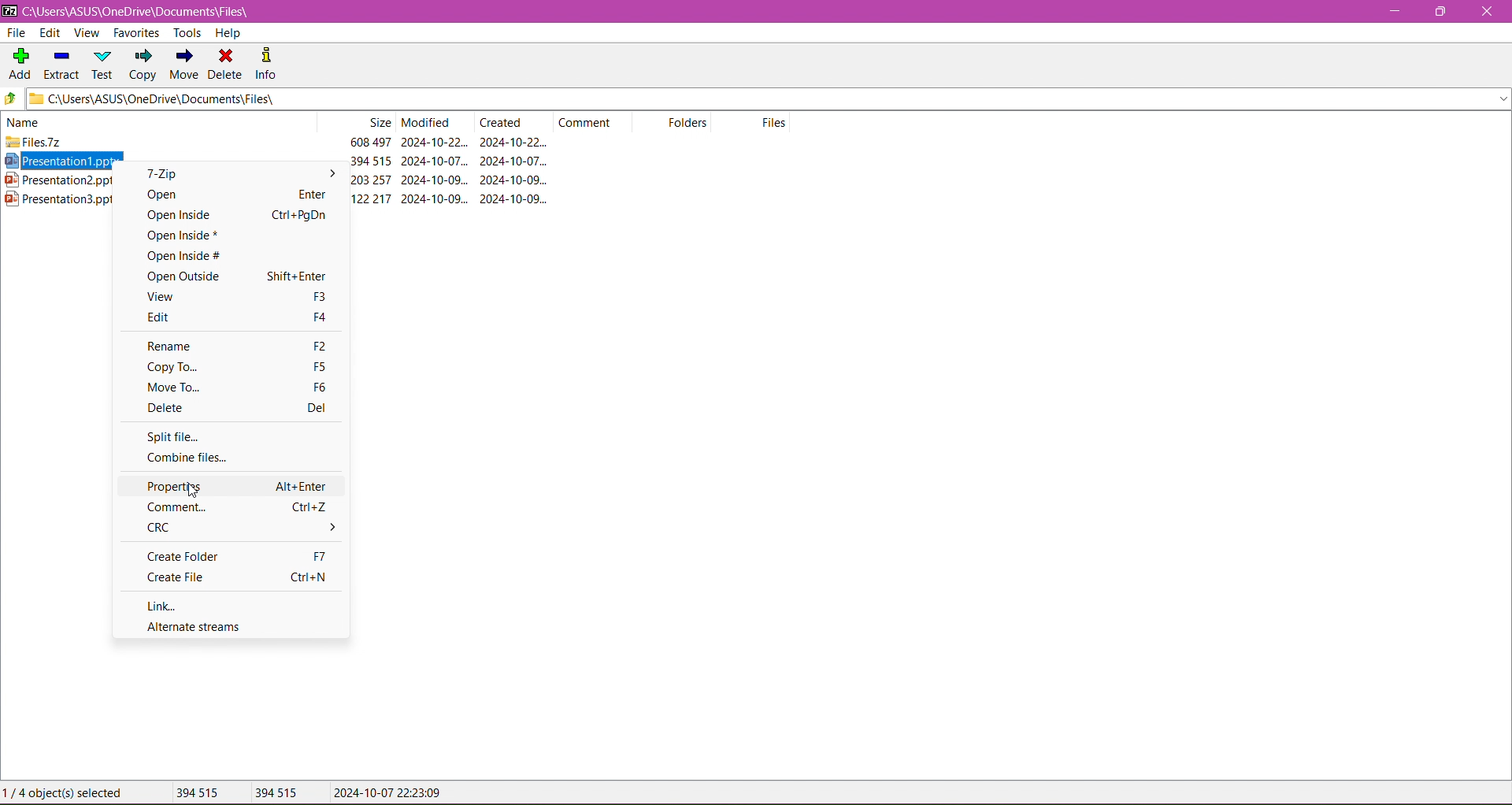  I want to click on 1/4 object(s) selected, so click(65, 792).